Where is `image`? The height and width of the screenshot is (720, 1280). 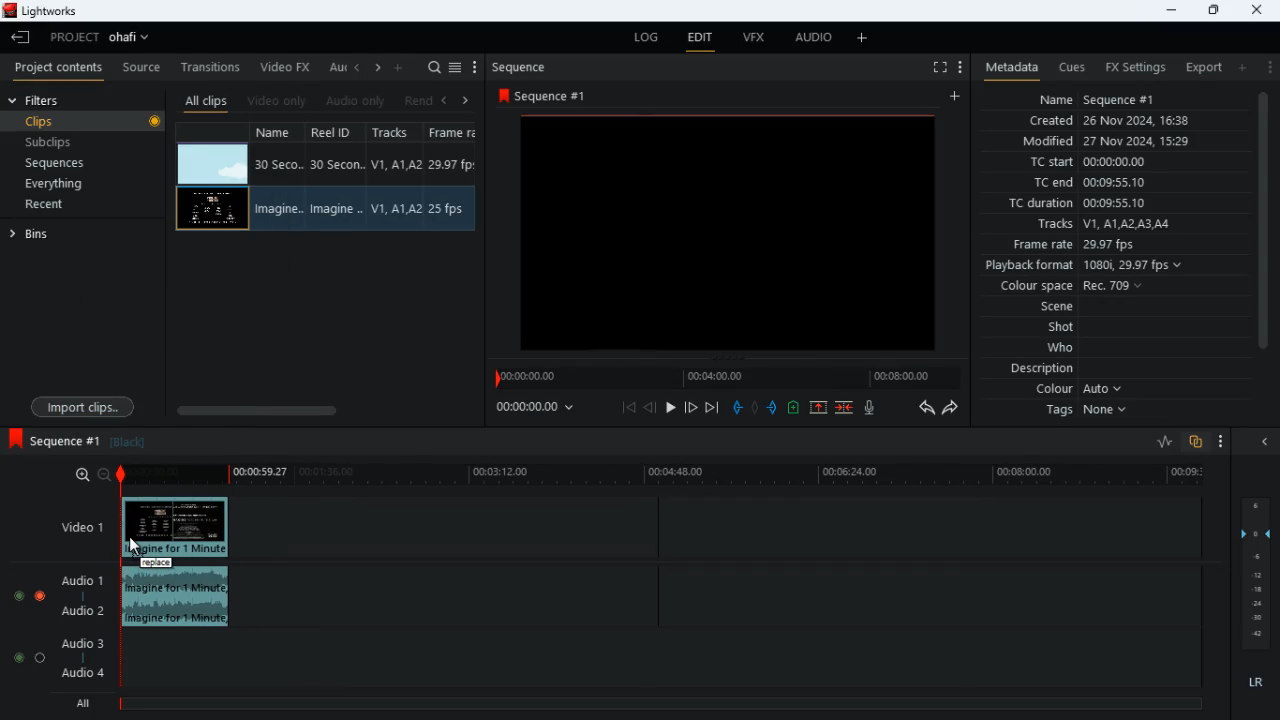
image is located at coordinates (213, 165).